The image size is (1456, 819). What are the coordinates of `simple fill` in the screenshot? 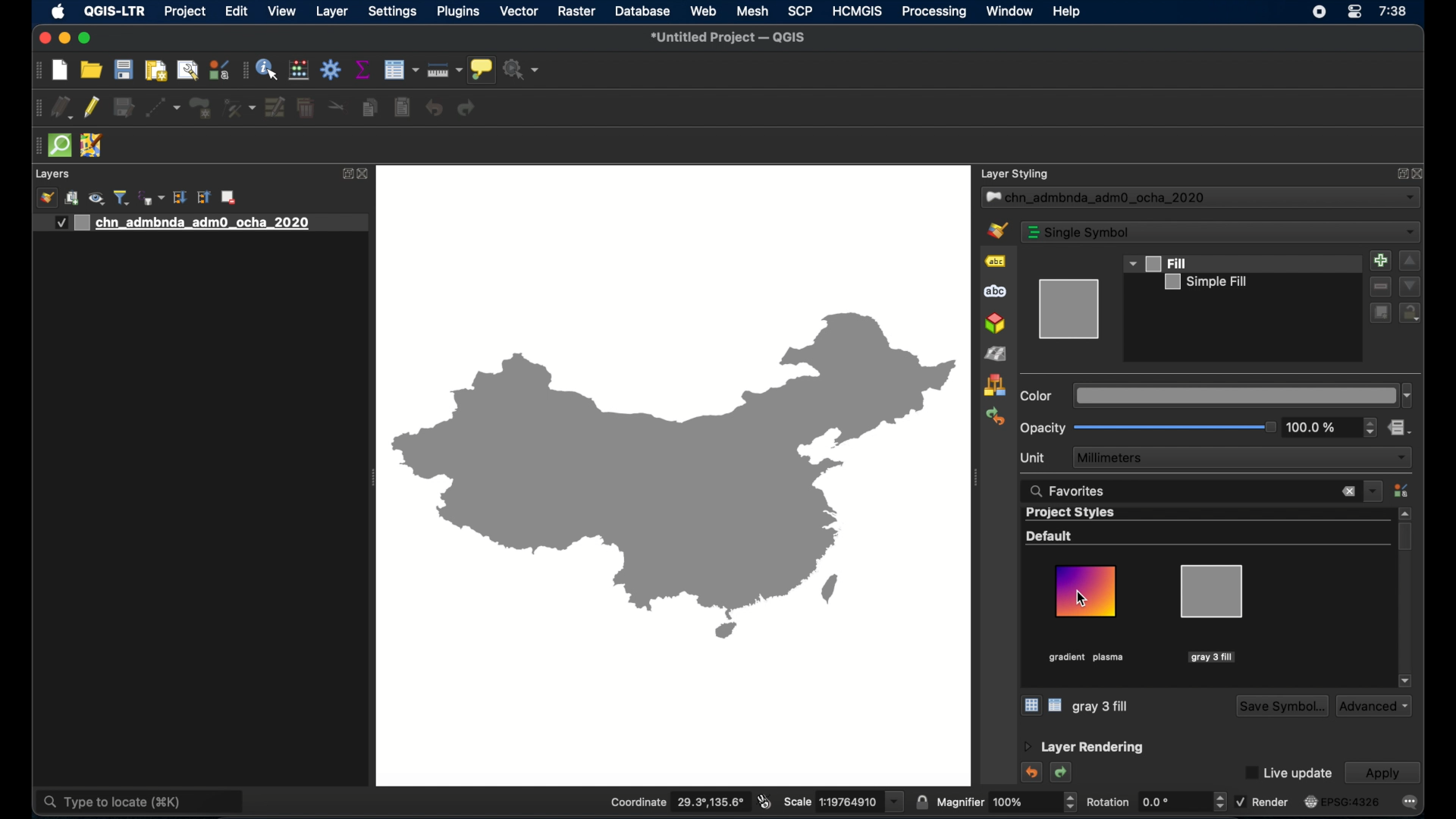 It's located at (1206, 281).